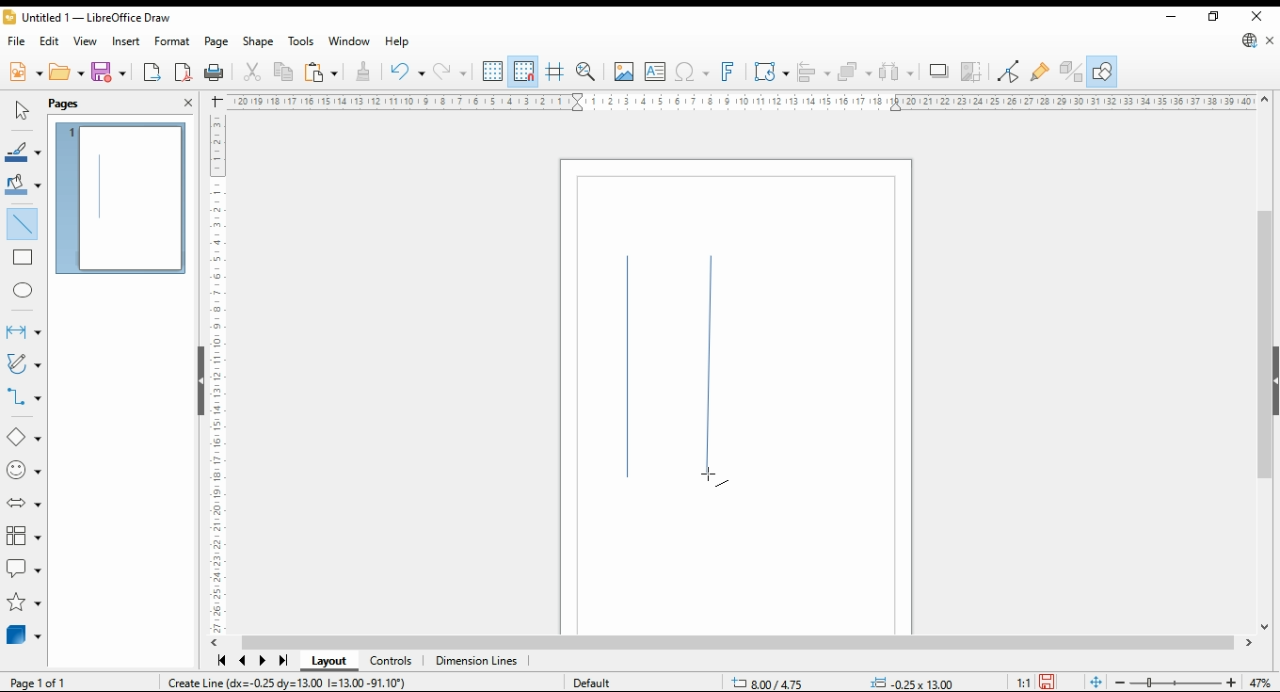 This screenshot has width=1280, height=692. What do you see at coordinates (910, 680) in the screenshot?
I see `0.00x0.00` at bounding box center [910, 680].